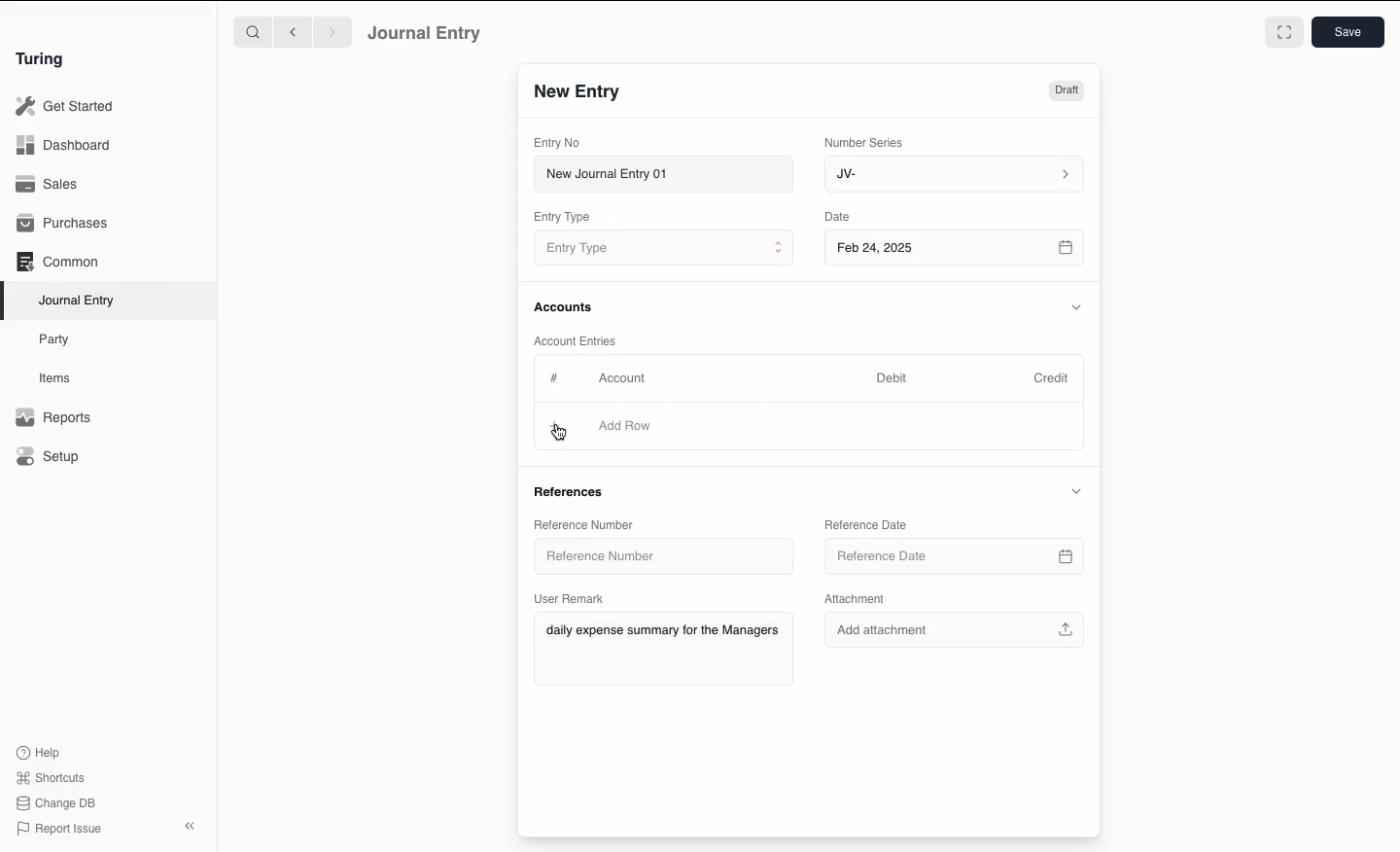 The image size is (1400, 852). Describe the element at coordinates (663, 247) in the screenshot. I see `Entry Type` at that location.